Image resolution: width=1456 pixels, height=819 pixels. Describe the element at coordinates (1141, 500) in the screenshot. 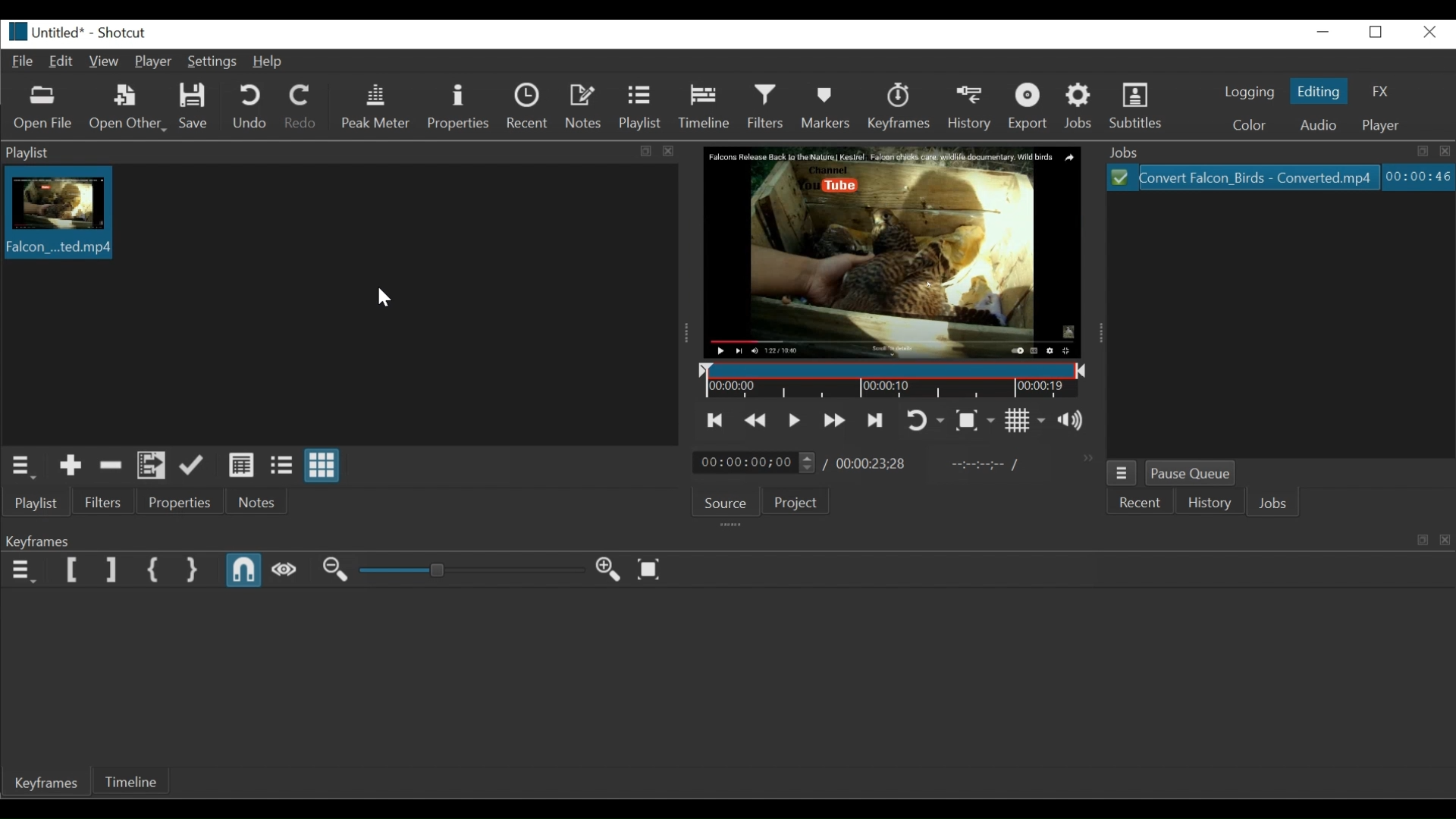

I see `Recent` at that location.